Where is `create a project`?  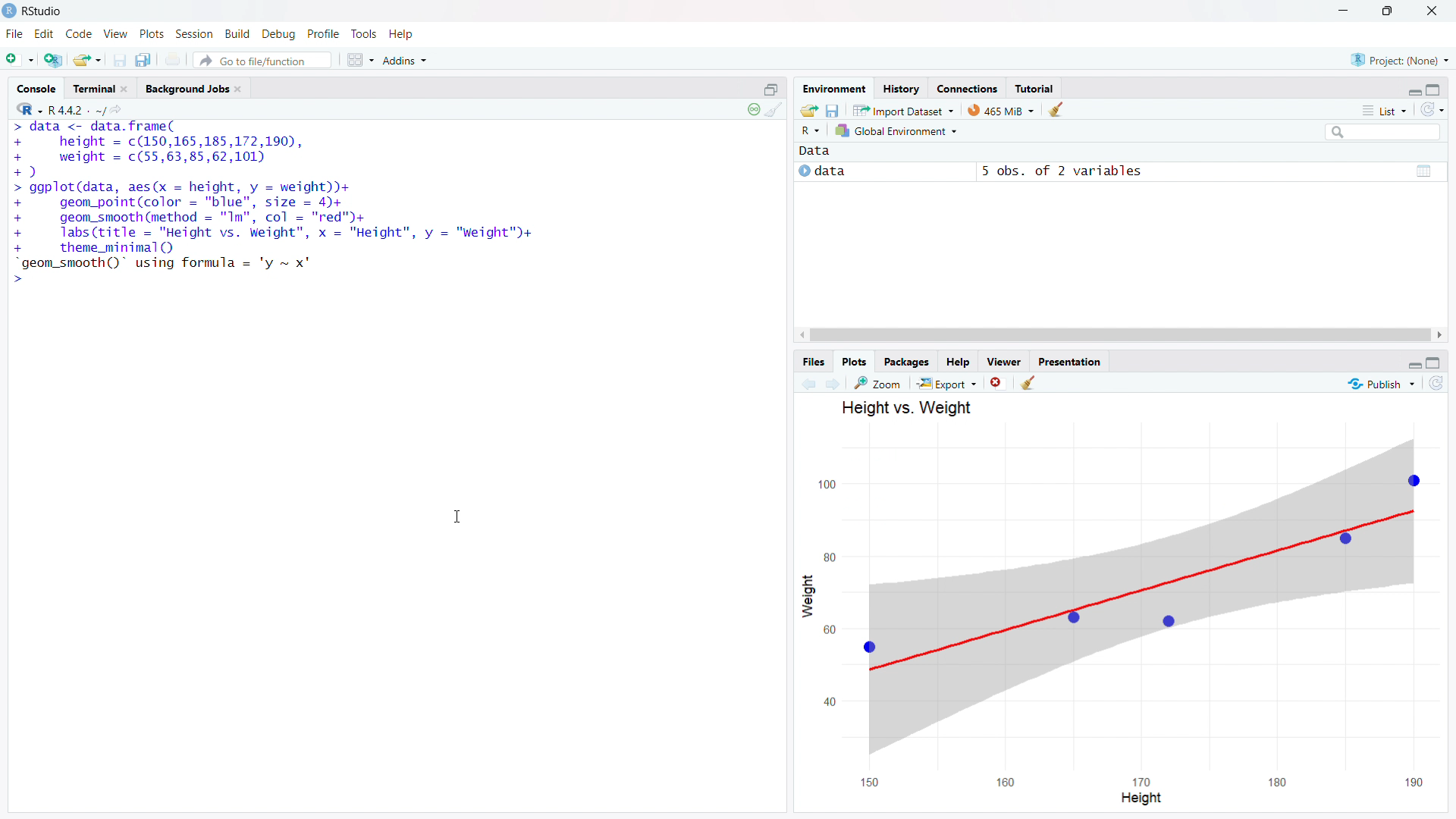
create a project is located at coordinates (54, 58).